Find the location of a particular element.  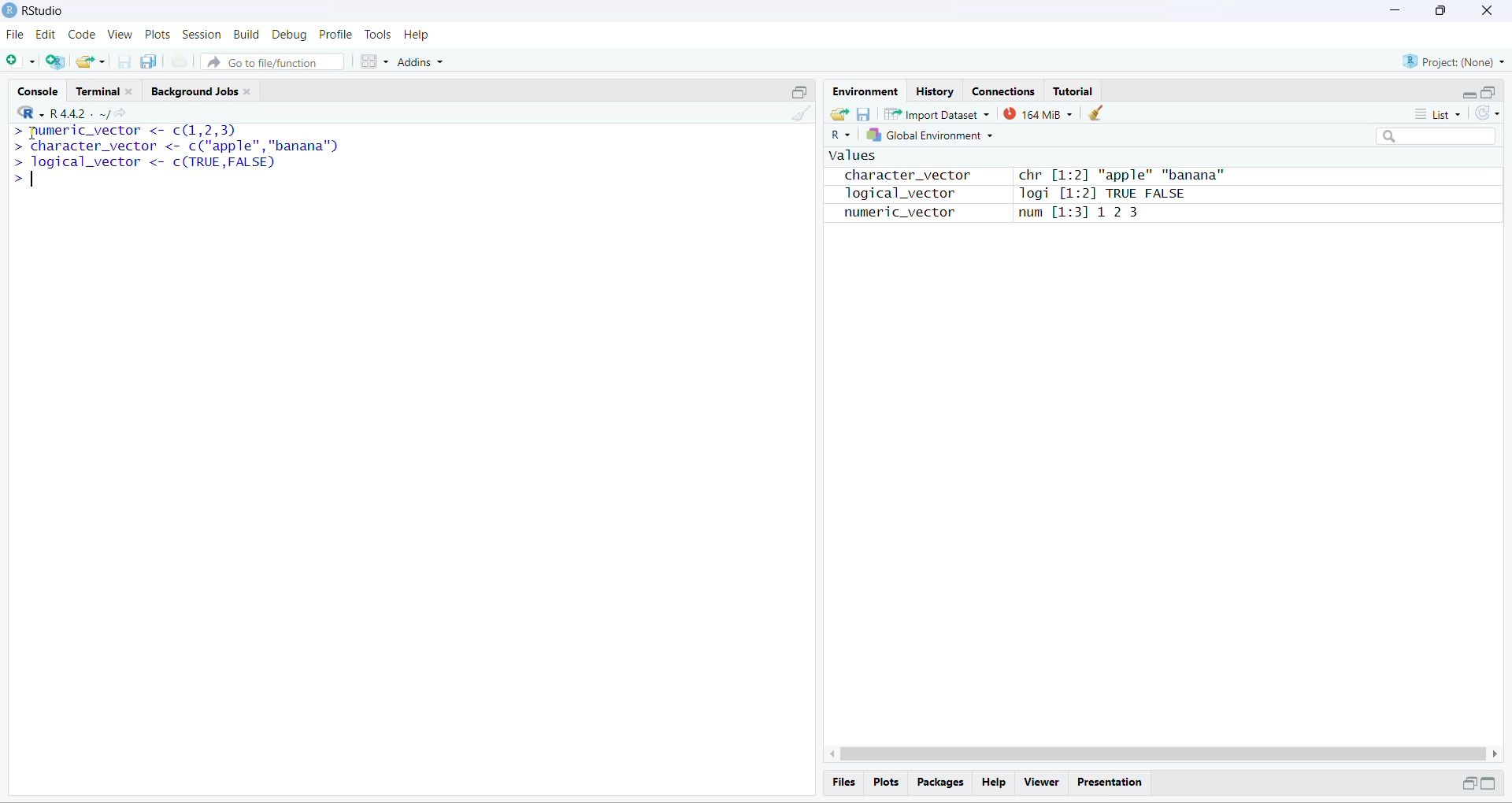

R is located at coordinates (839, 135).